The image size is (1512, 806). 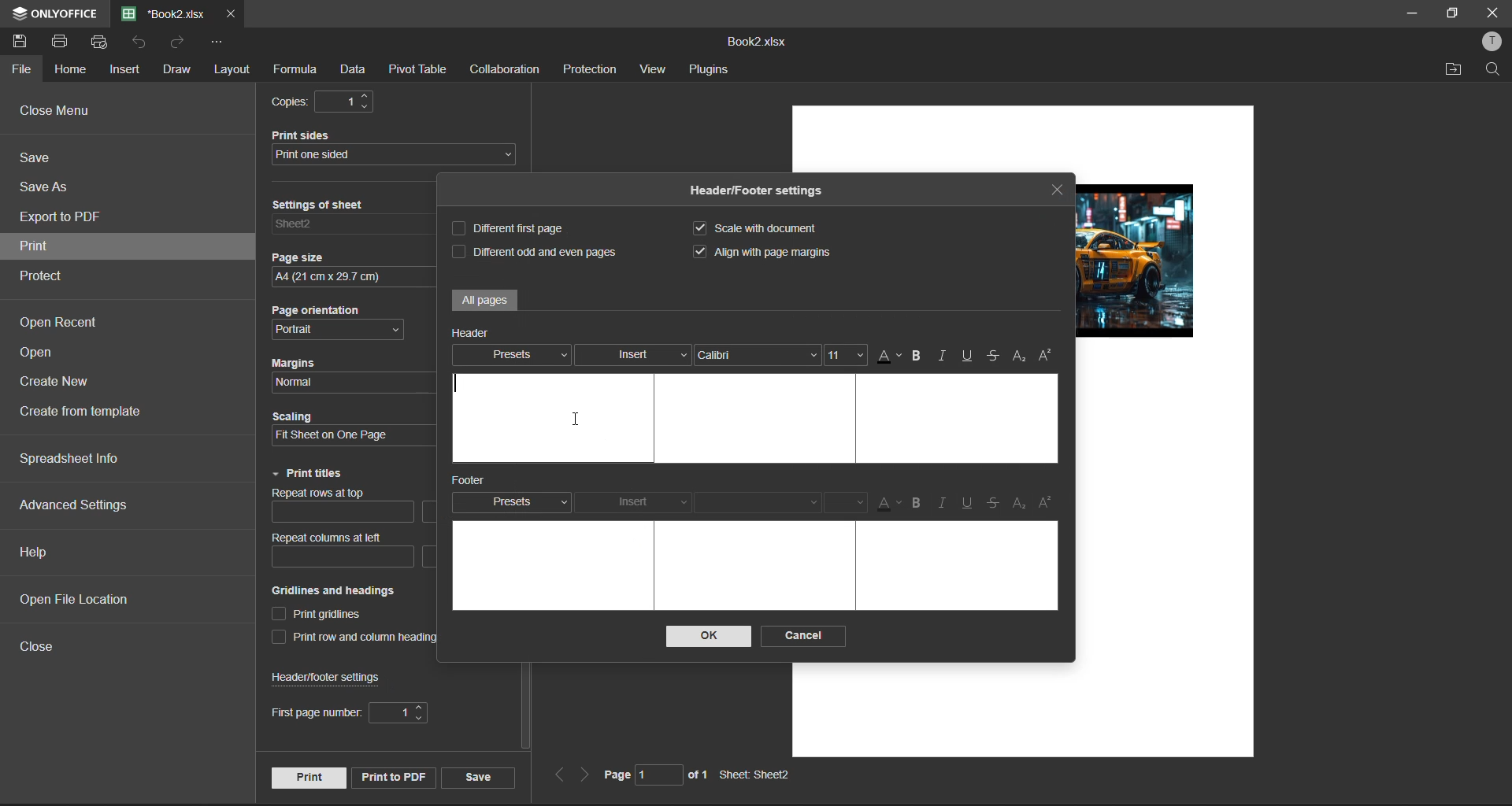 What do you see at coordinates (350, 591) in the screenshot?
I see `gridlines and headings` at bounding box center [350, 591].